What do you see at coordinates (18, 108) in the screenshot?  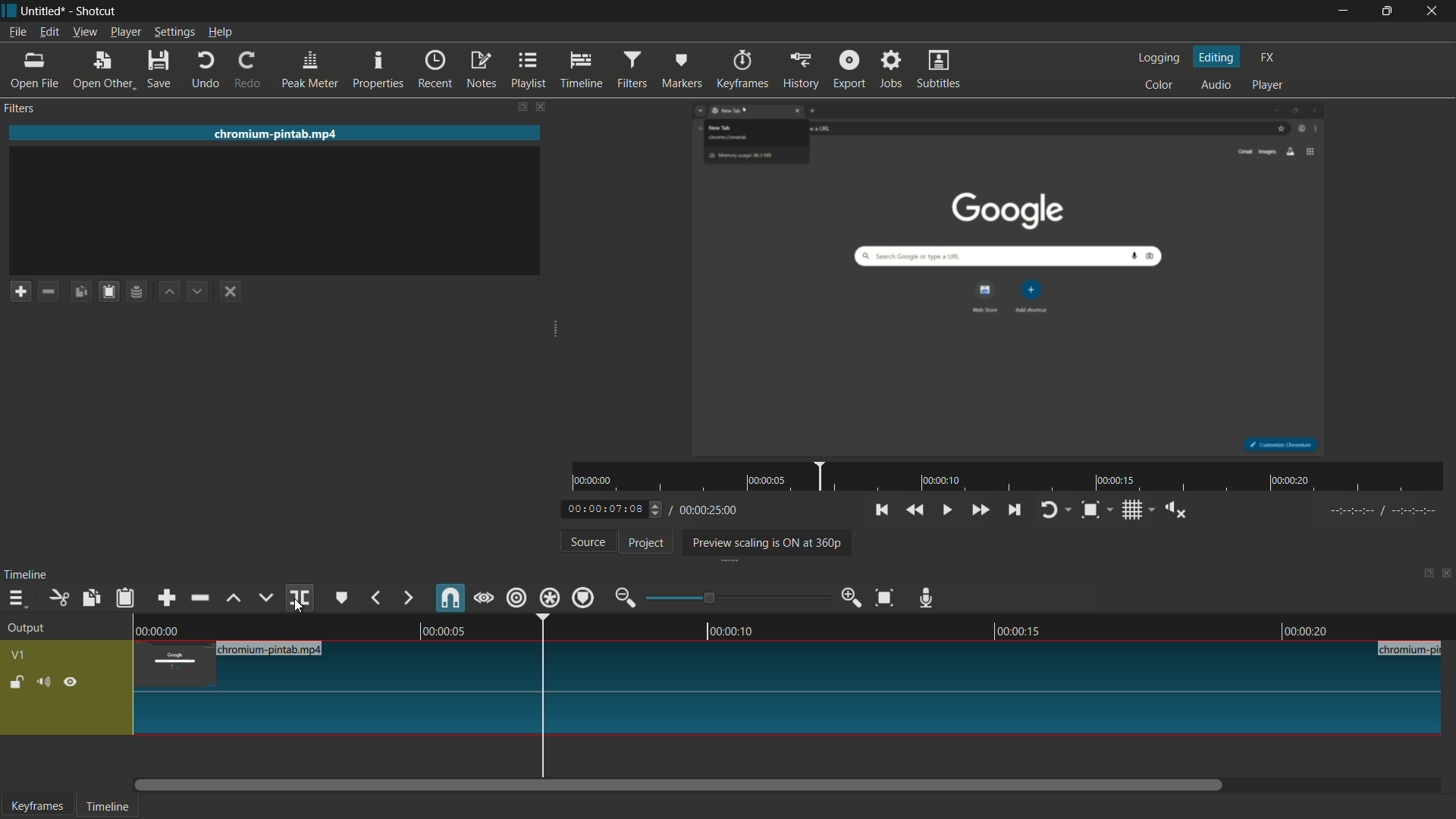 I see `filters` at bounding box center [18, 108].